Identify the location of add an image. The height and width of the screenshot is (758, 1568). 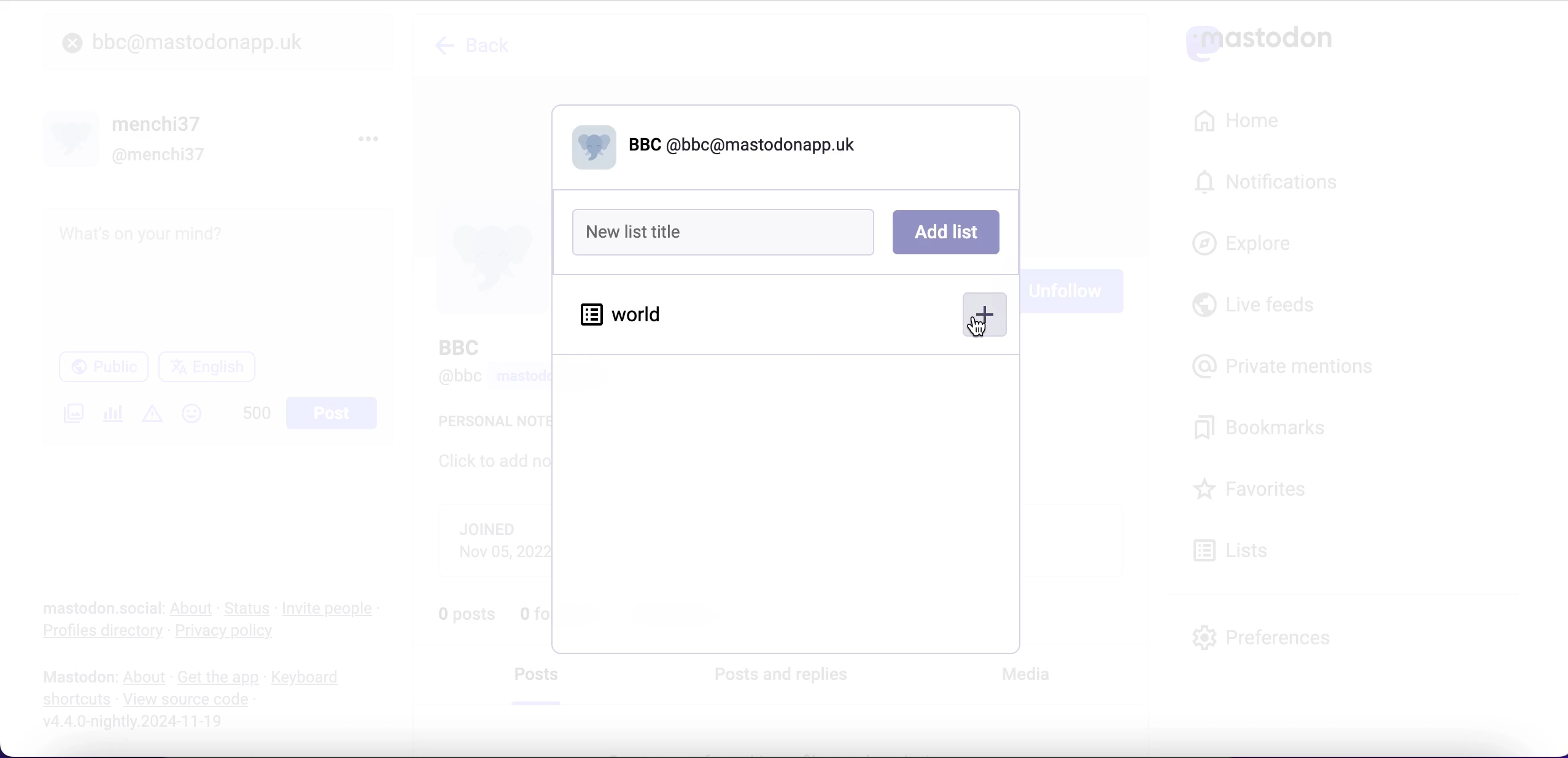
(72, 413).